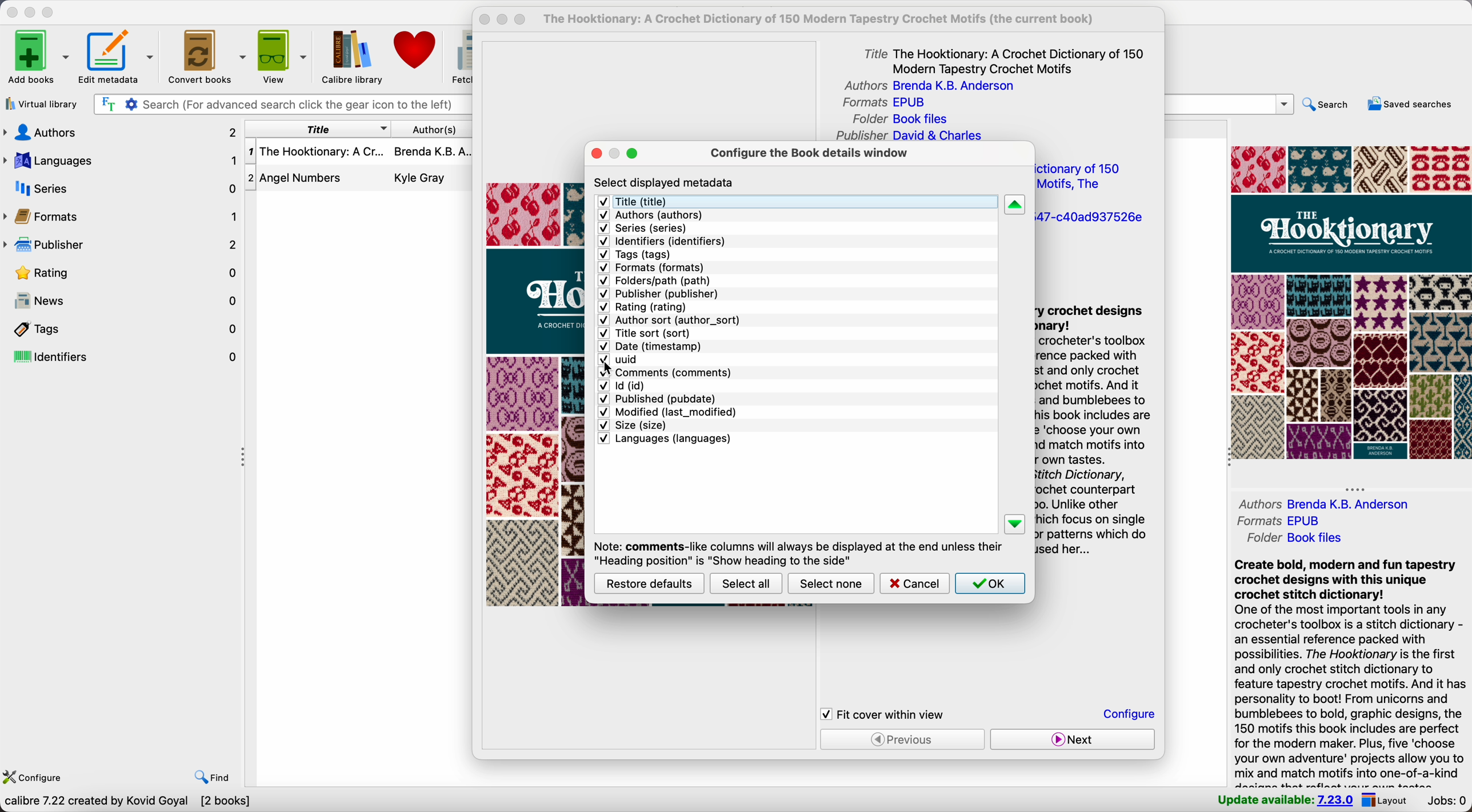  I want to click on update available, so click(1285, 798).